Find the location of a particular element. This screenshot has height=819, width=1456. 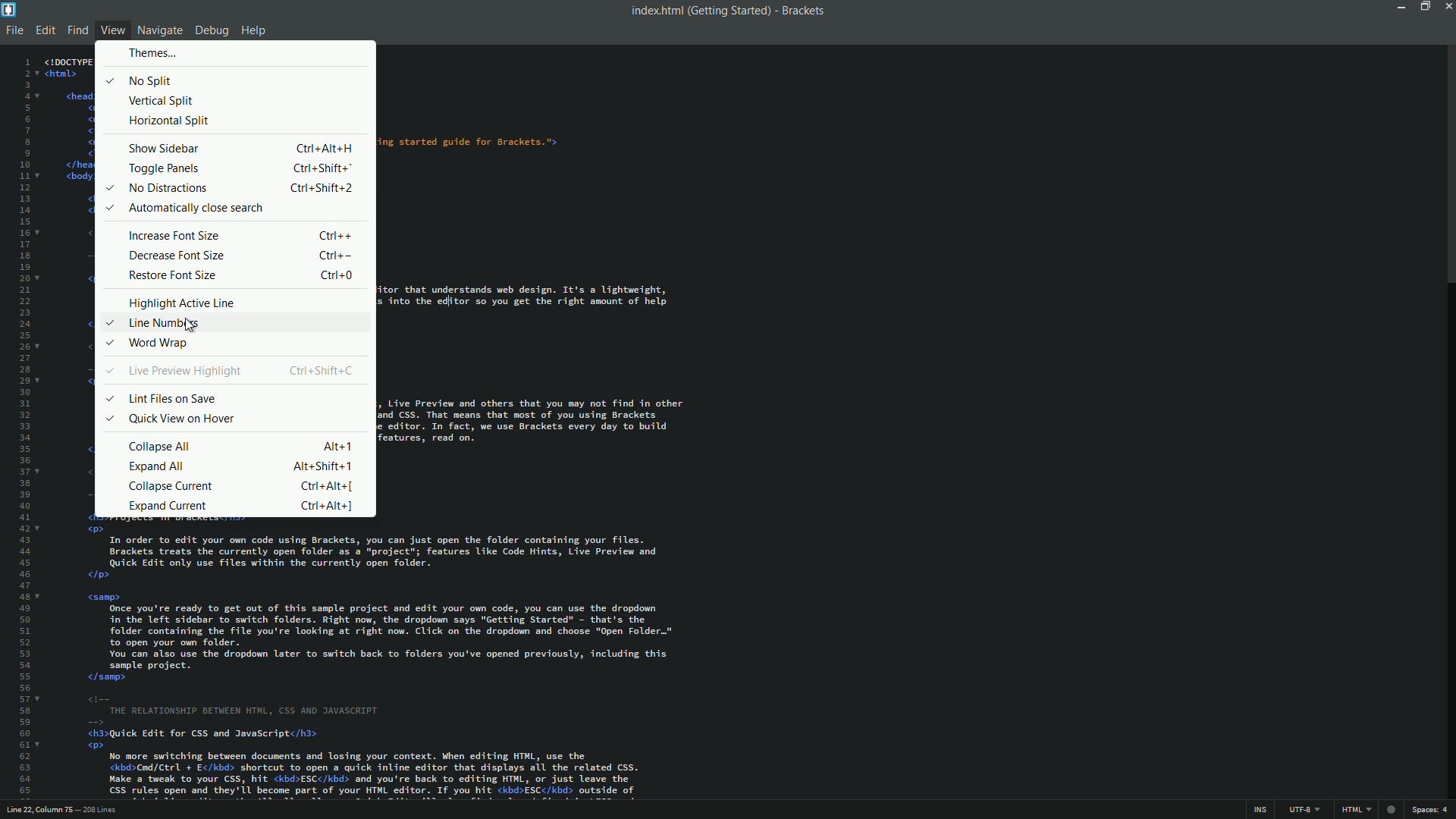

help is located at coordinates (253, 32).